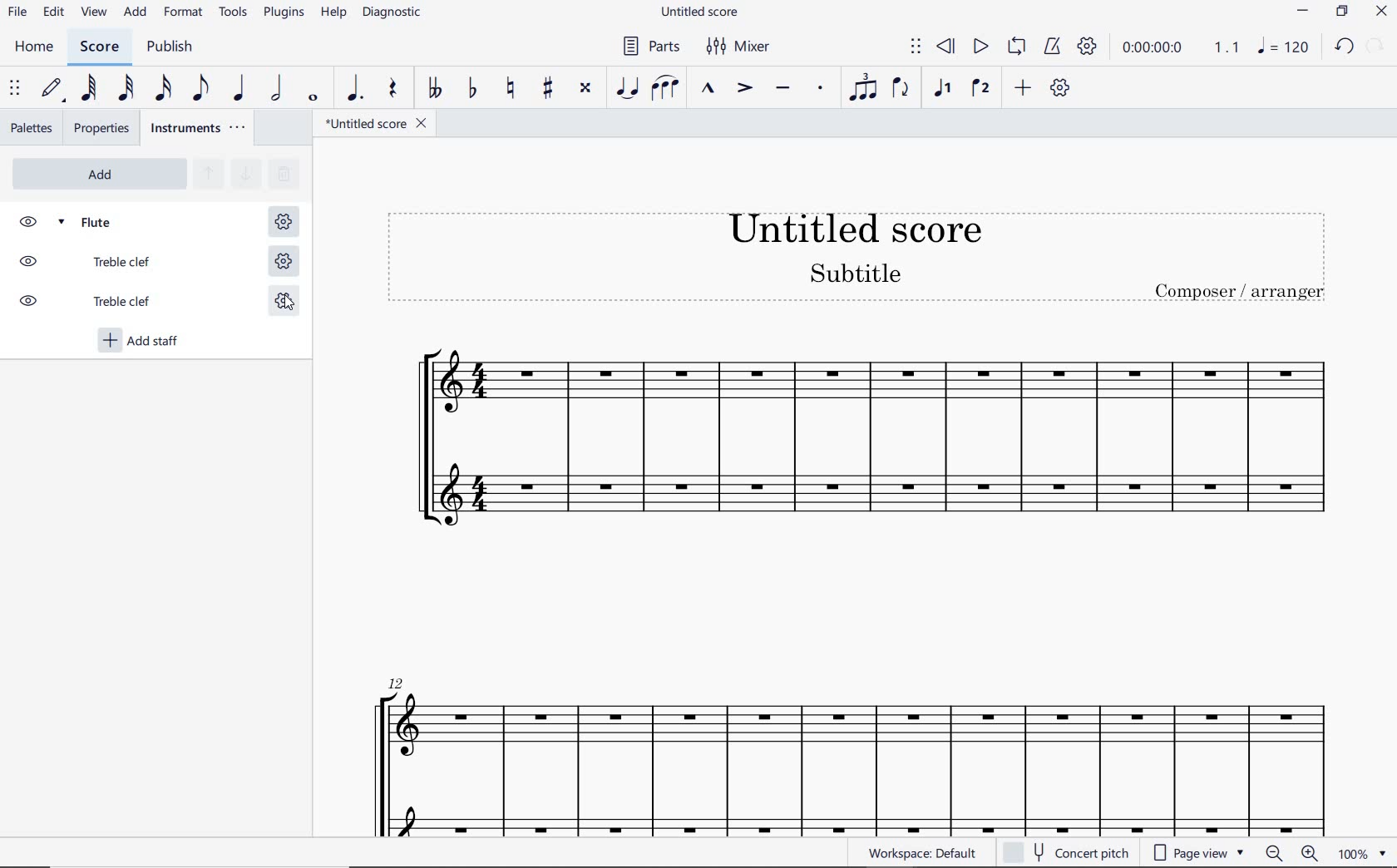 The width and height of the screenshot is (1397, 868). Describe the element at coordinates (850, 395) in the screenshot. I see `Flute Instrument` at that location.